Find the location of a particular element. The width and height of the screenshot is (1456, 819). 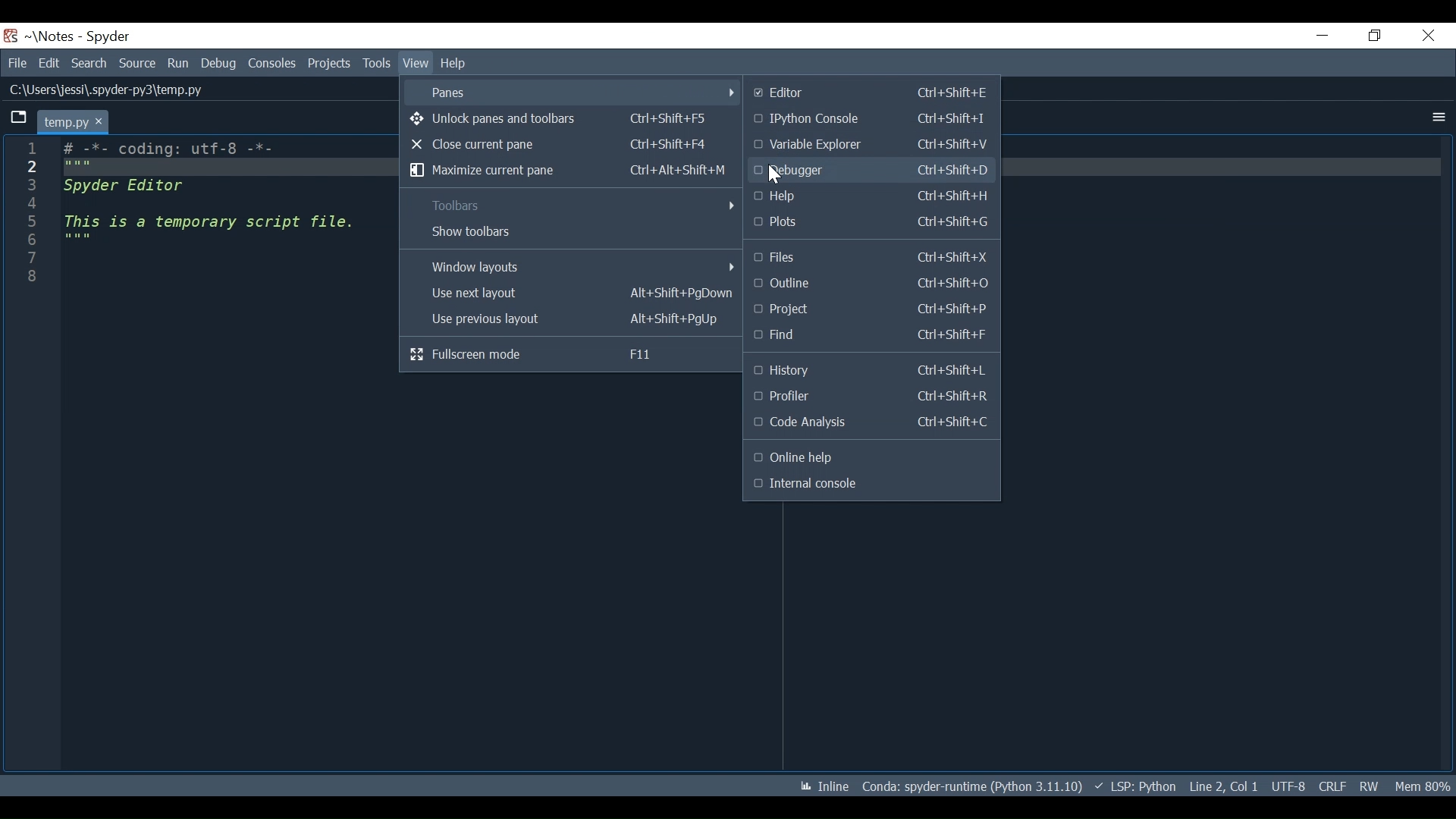

Spyder  is located at coordinates (109, 37).